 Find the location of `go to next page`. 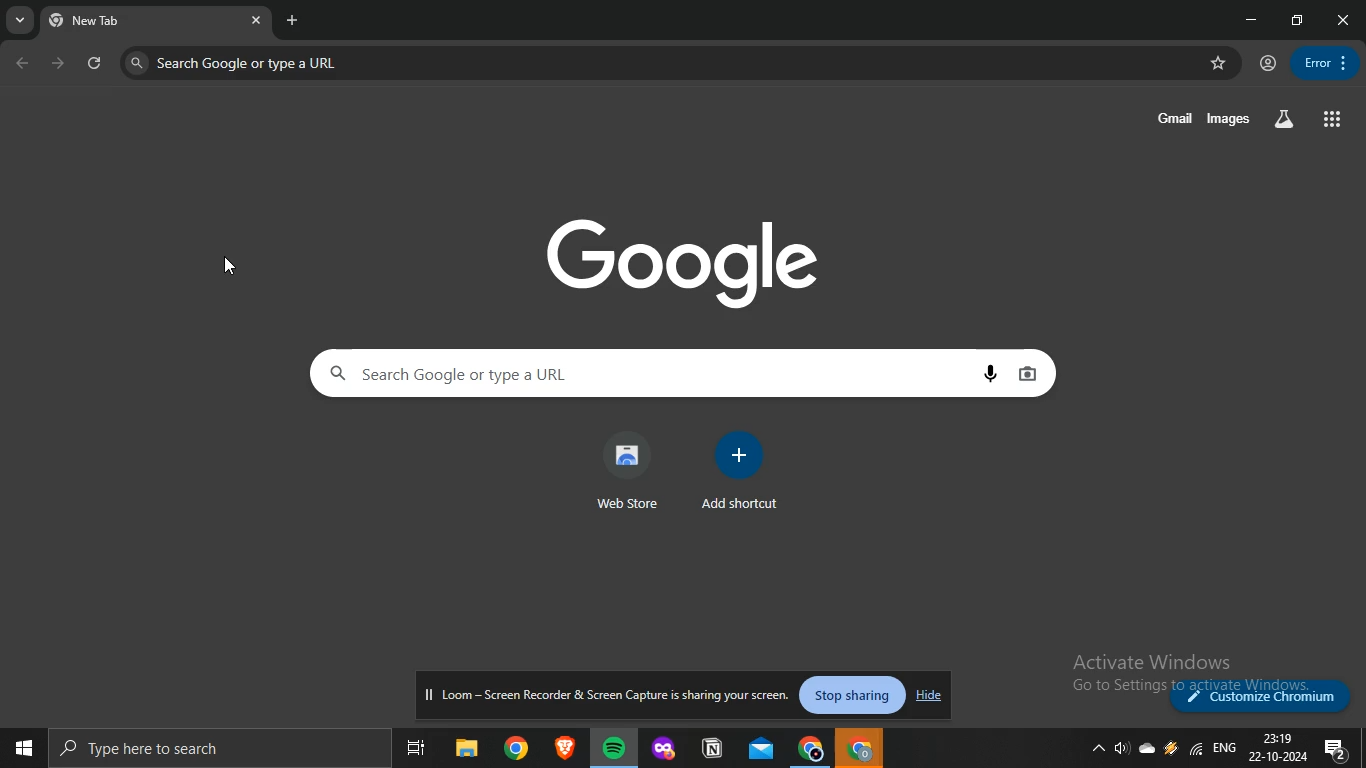

go to next page is located at coordinates (59, 63).